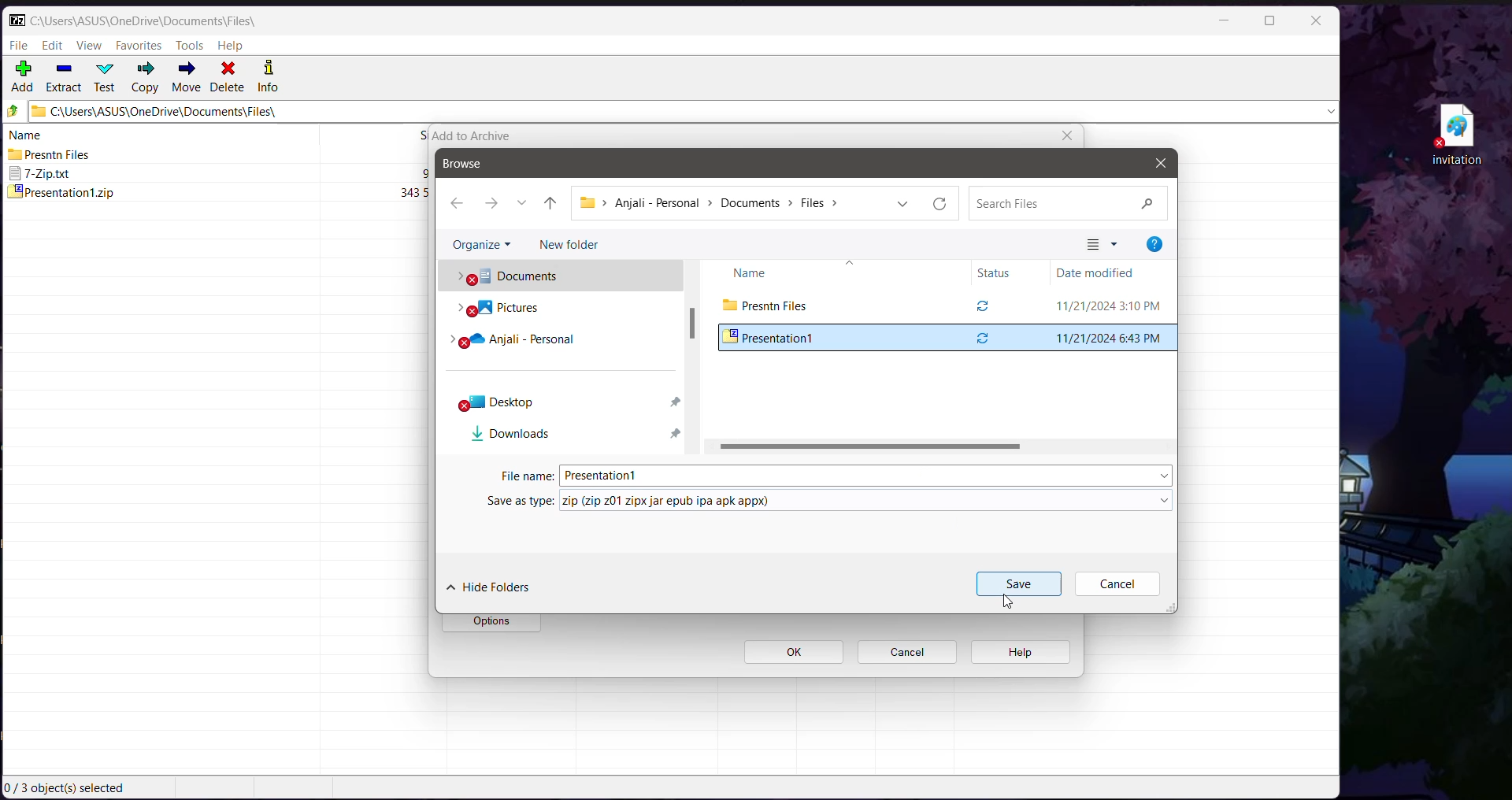 This screenshot has height=800, width=1512. Describe the element at coordinates (145, 78) in the screenshot. I see `Copy` at that location.